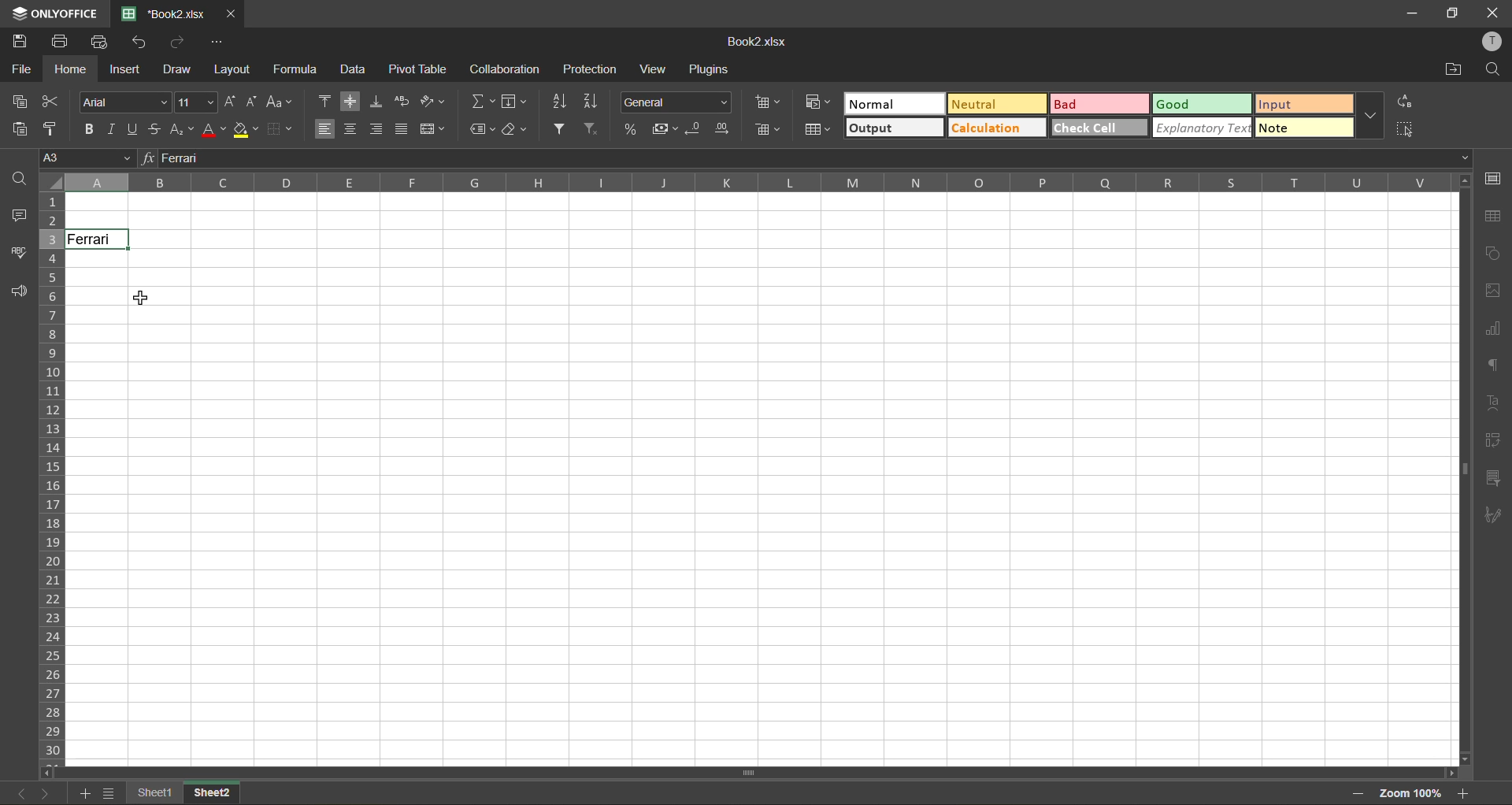 The image size is (1512, 805). What do you see at coordinates (232, 14) in the screenshot?
I see `close` at bounding box center [232, 14].